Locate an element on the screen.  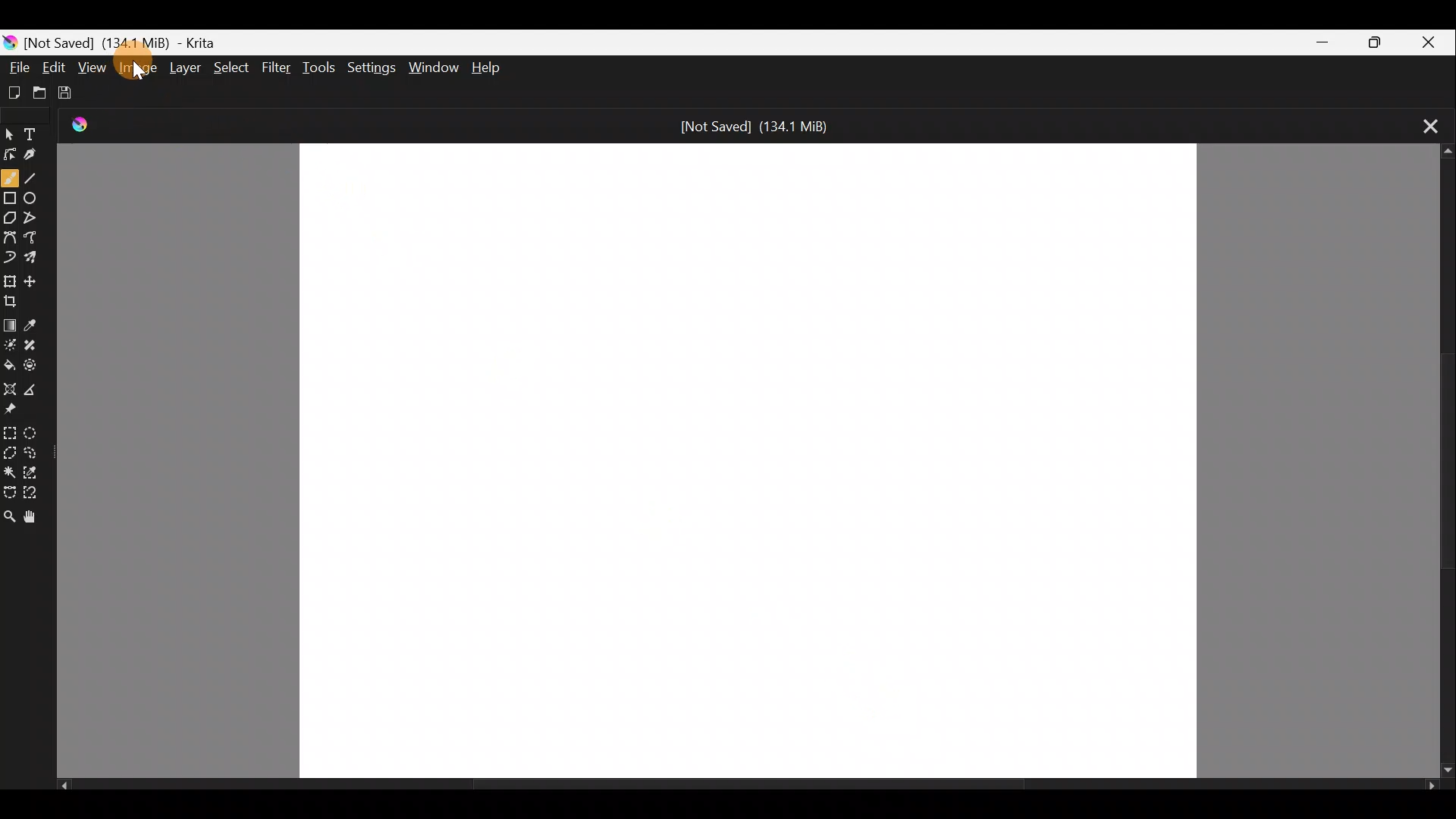
Calligraphy is located at coordinates (40, 156).